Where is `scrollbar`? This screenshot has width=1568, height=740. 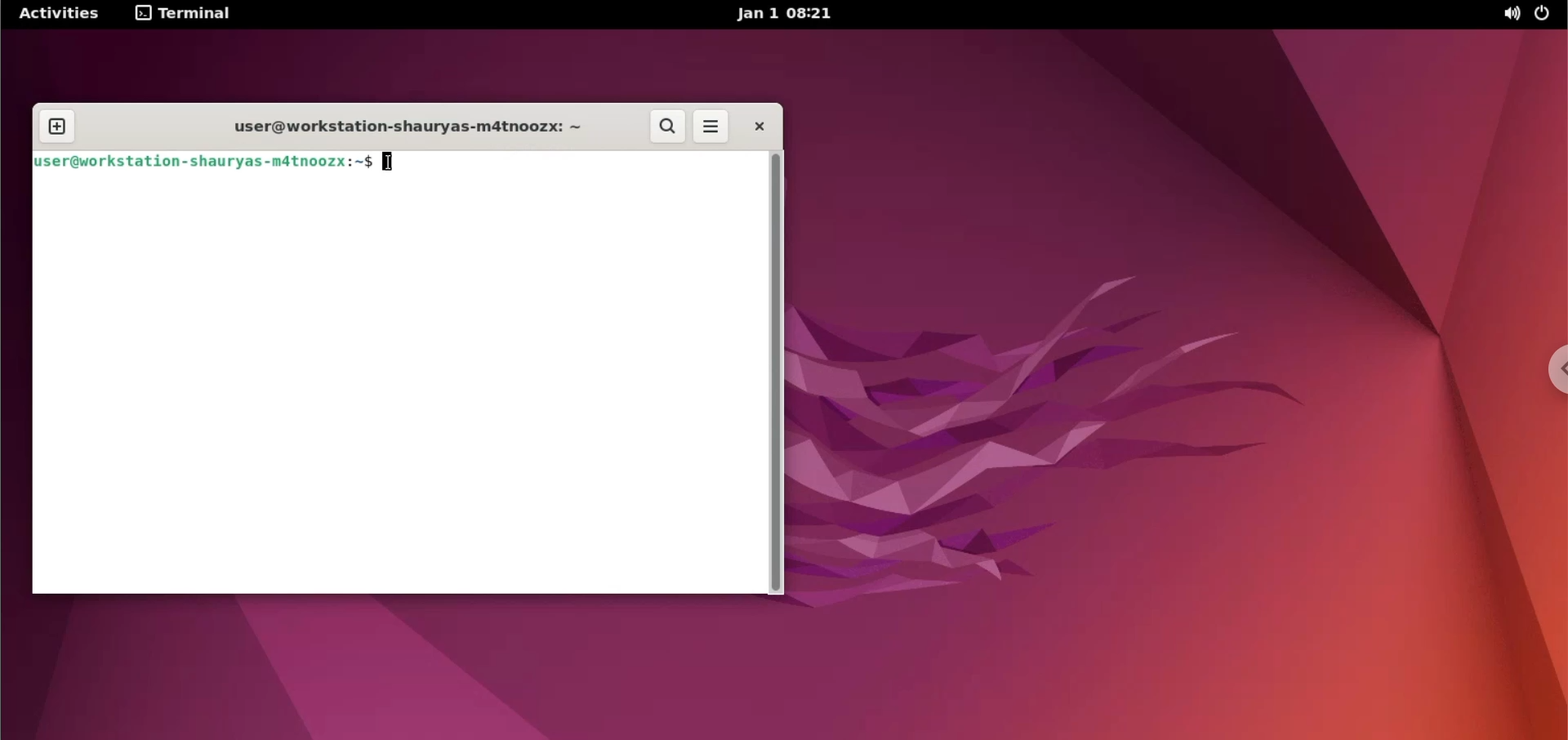
scrollbar is located at coordinates (777, 373).